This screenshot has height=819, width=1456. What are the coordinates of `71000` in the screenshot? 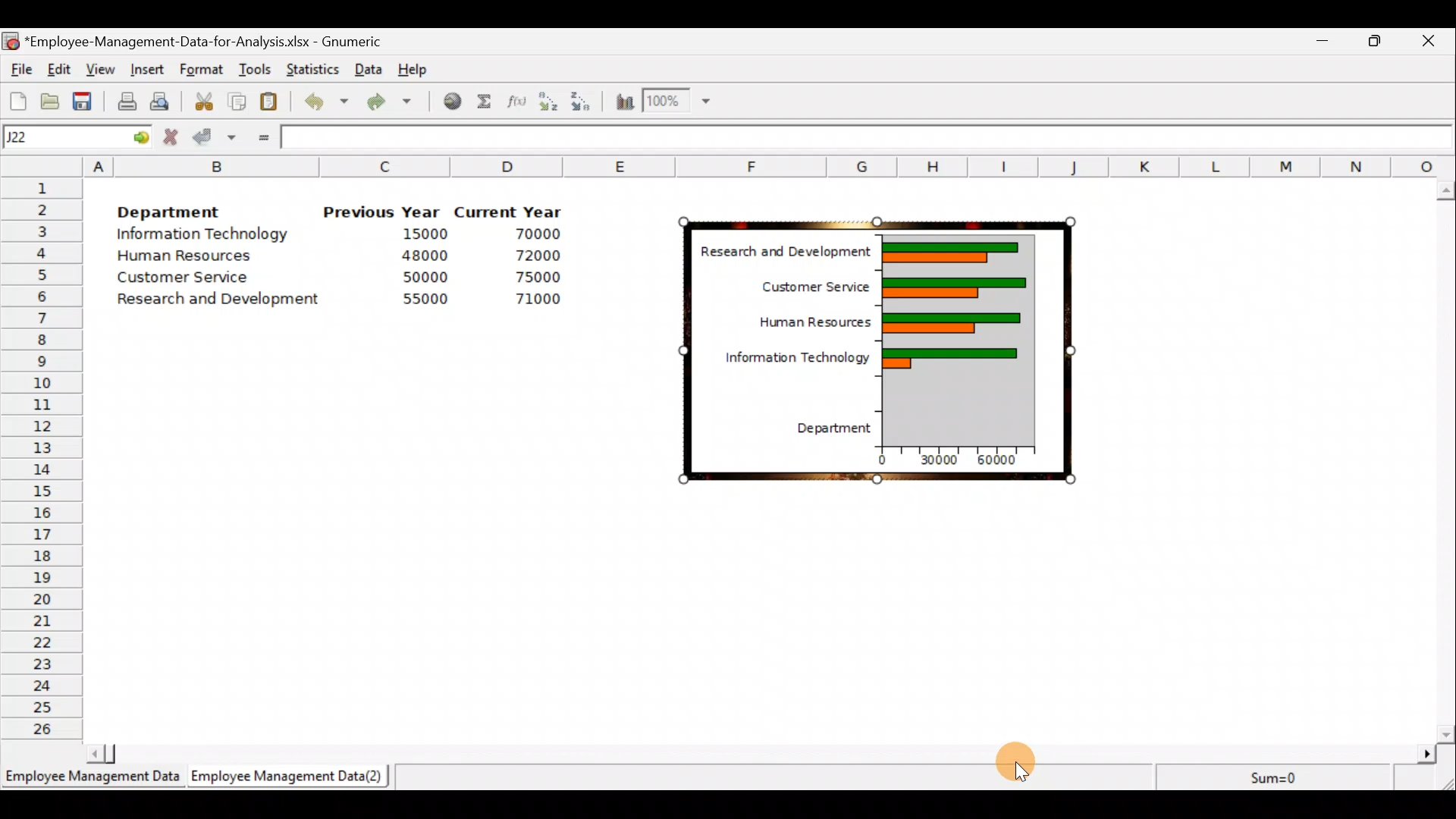 It's located at (535, 301).